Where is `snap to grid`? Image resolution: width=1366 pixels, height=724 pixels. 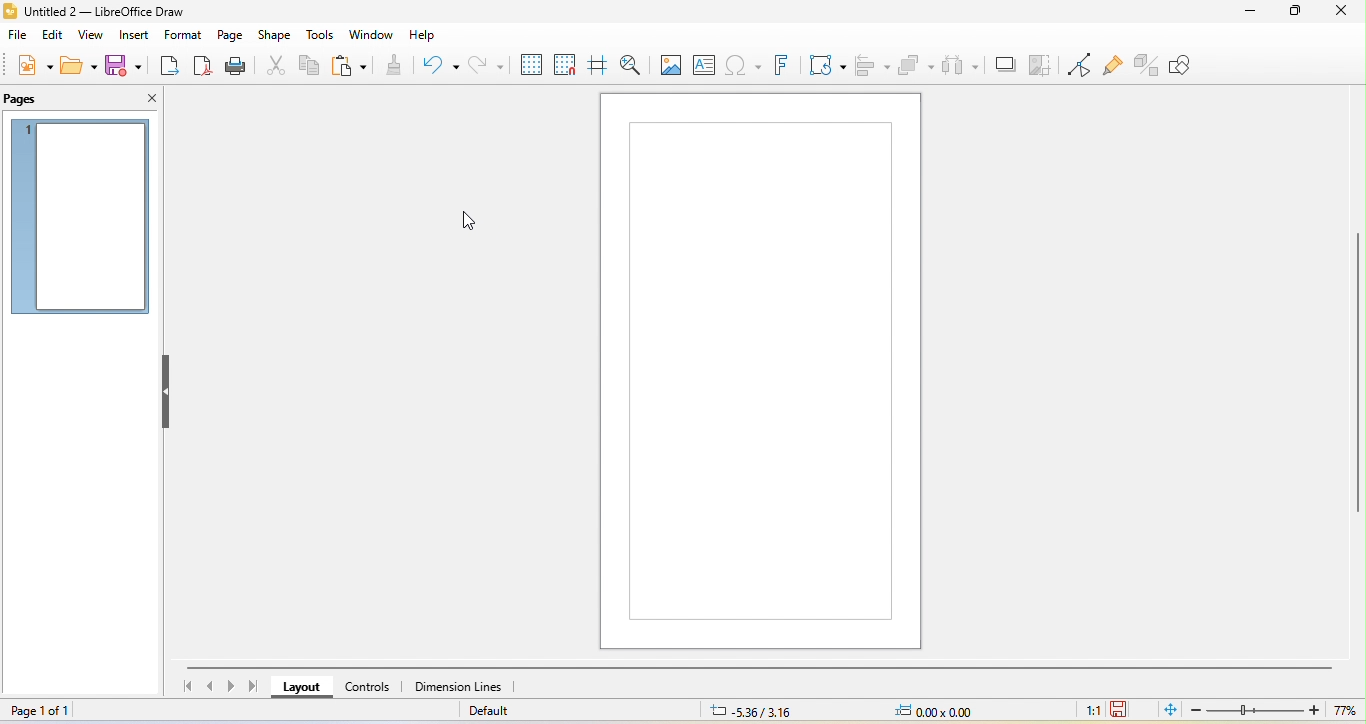 snap to grid is located at coordinates (567, 66).